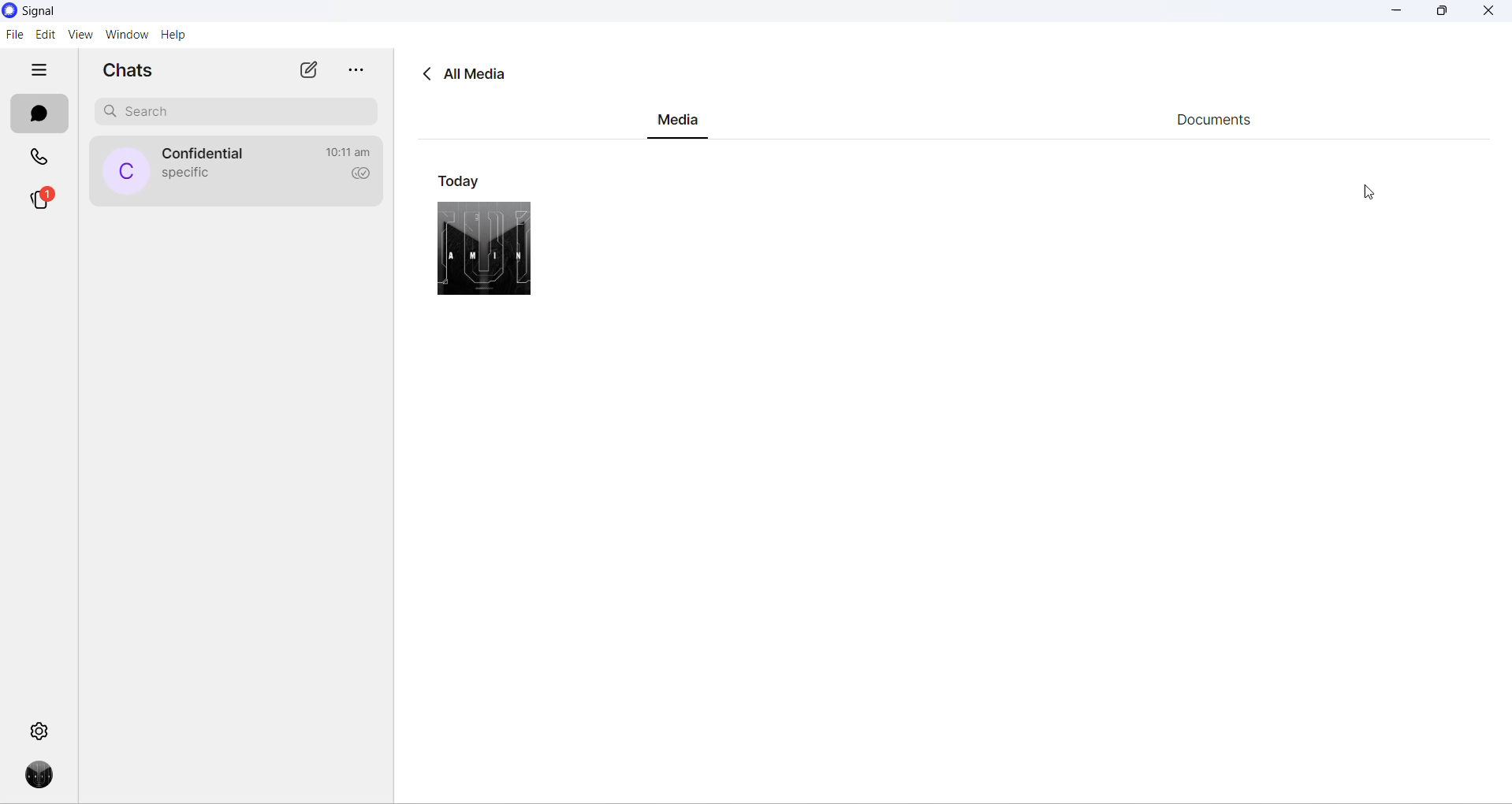  What do you see at coordinates (39, 73) in the screenshot?
I see `hide tabs` at bounding box center [39, 73].